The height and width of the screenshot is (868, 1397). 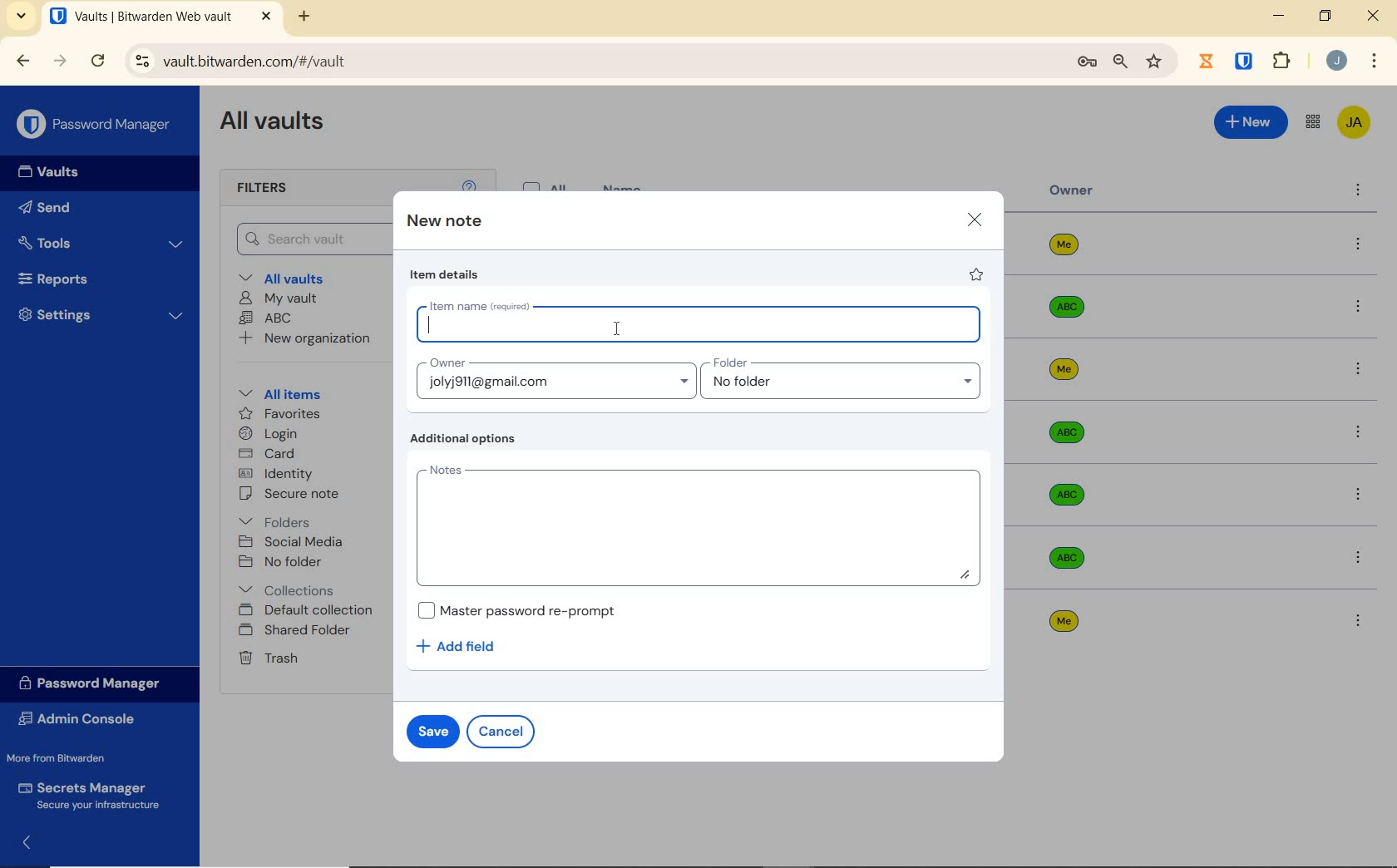 What do you see at coordinates (1072, 192) in the screenshot?
I see `owner` at bounding box center [1072, 192].